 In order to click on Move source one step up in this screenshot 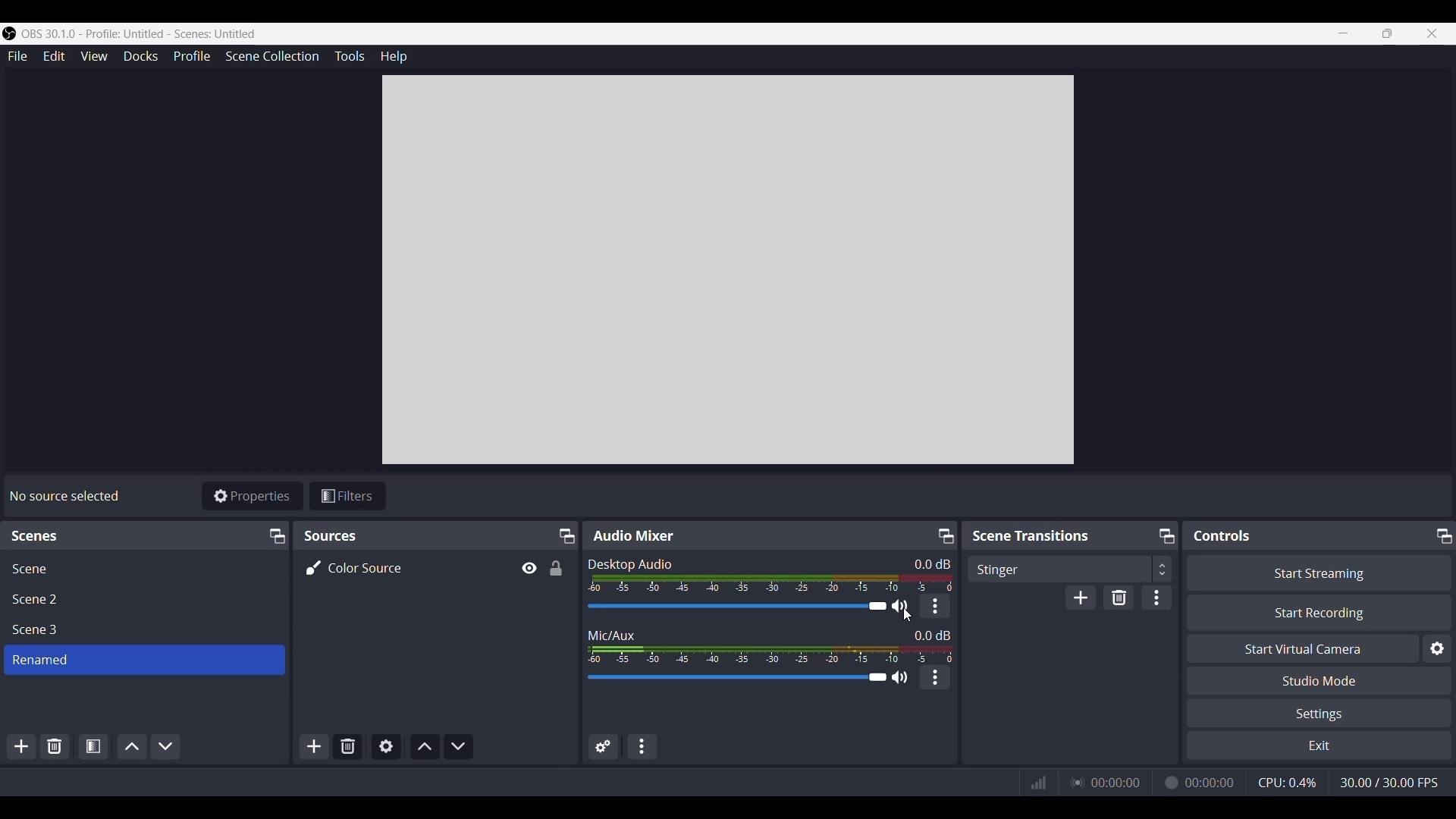, I will do `click(425, 747)`.